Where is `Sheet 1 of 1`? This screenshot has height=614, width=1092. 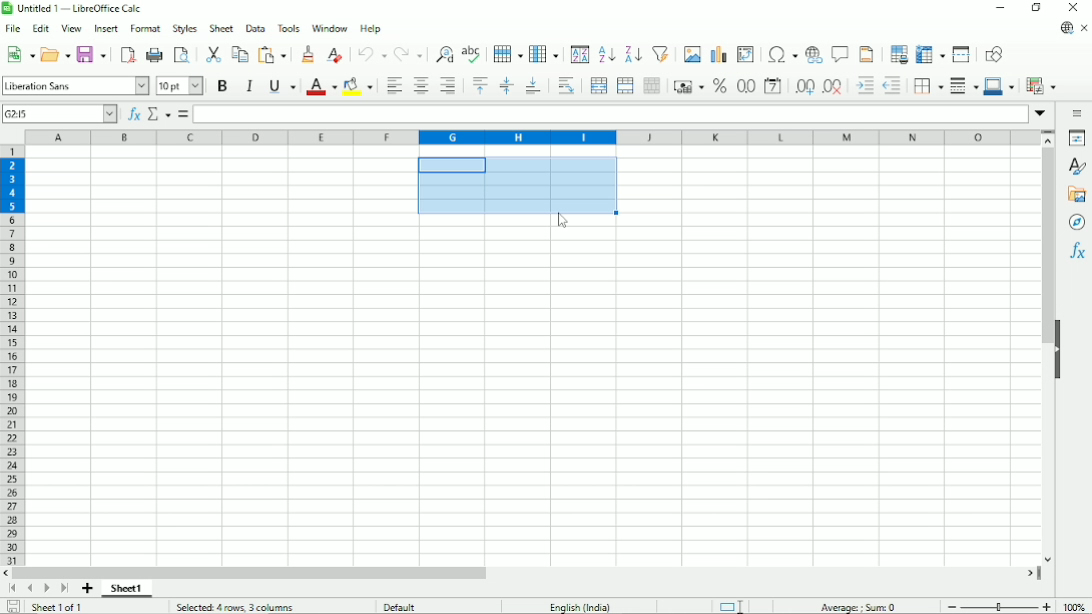 Sheet 1 of 1 is located at coordinates (59, 607).